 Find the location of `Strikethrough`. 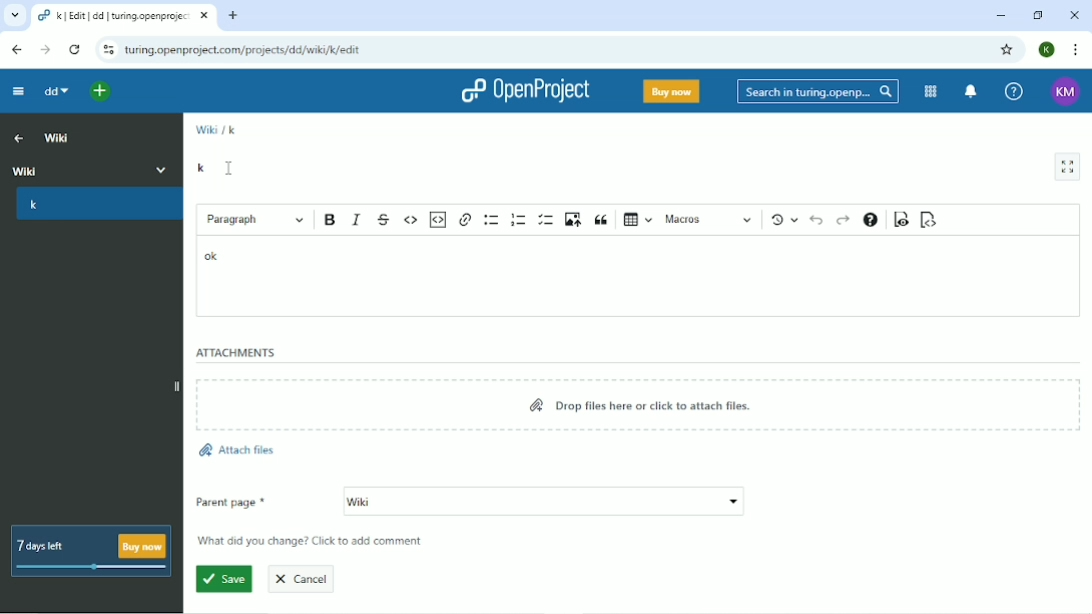

Strikethrough is located at coordinates (384, 219).